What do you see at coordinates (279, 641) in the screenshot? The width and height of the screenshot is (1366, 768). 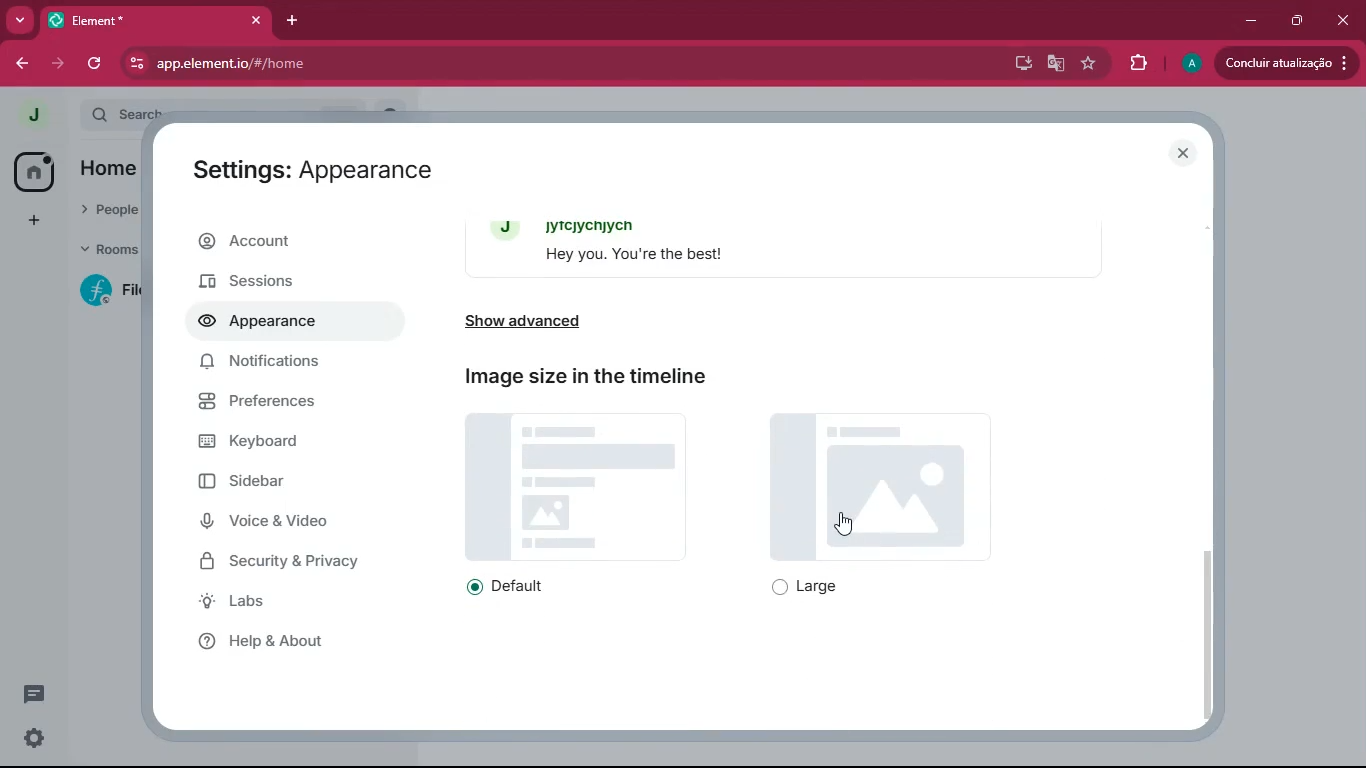 I see `help & about ` at bounding box center [279, 641].